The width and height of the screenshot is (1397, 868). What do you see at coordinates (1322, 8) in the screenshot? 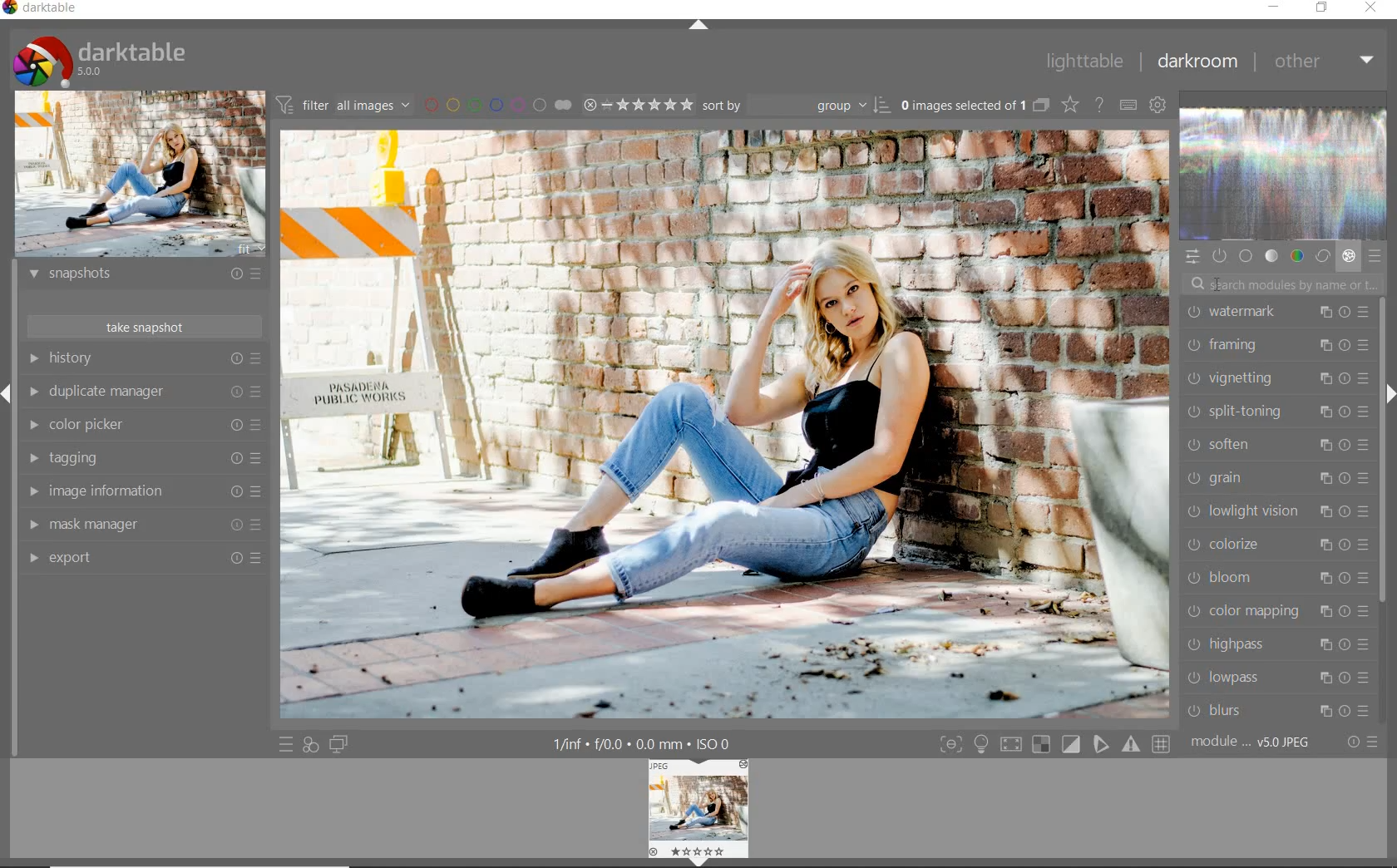
I see `restore` at bounding box center [1322, 8].